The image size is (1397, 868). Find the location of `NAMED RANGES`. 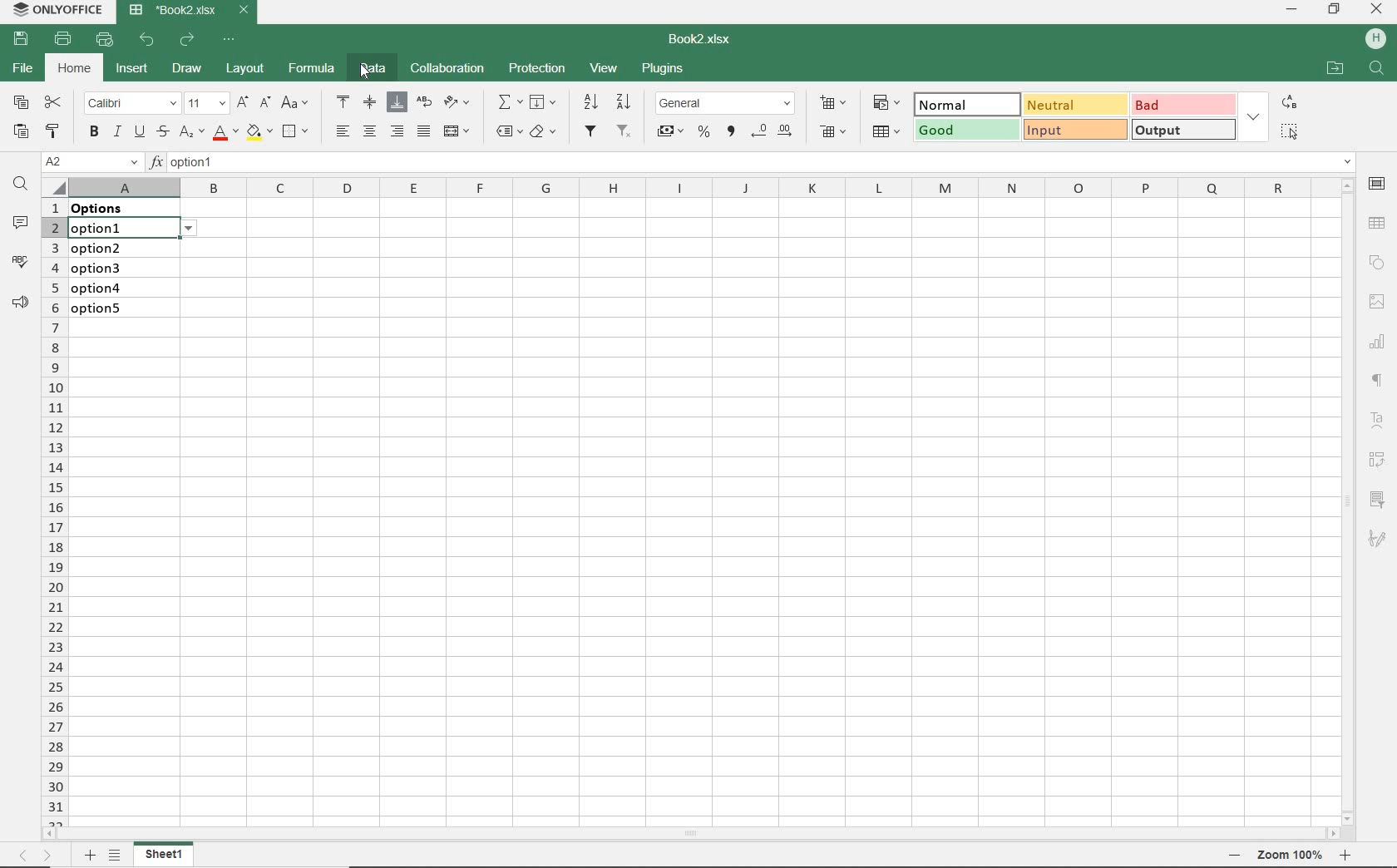

NAMED RANGES is located at coordinates (509, 131).